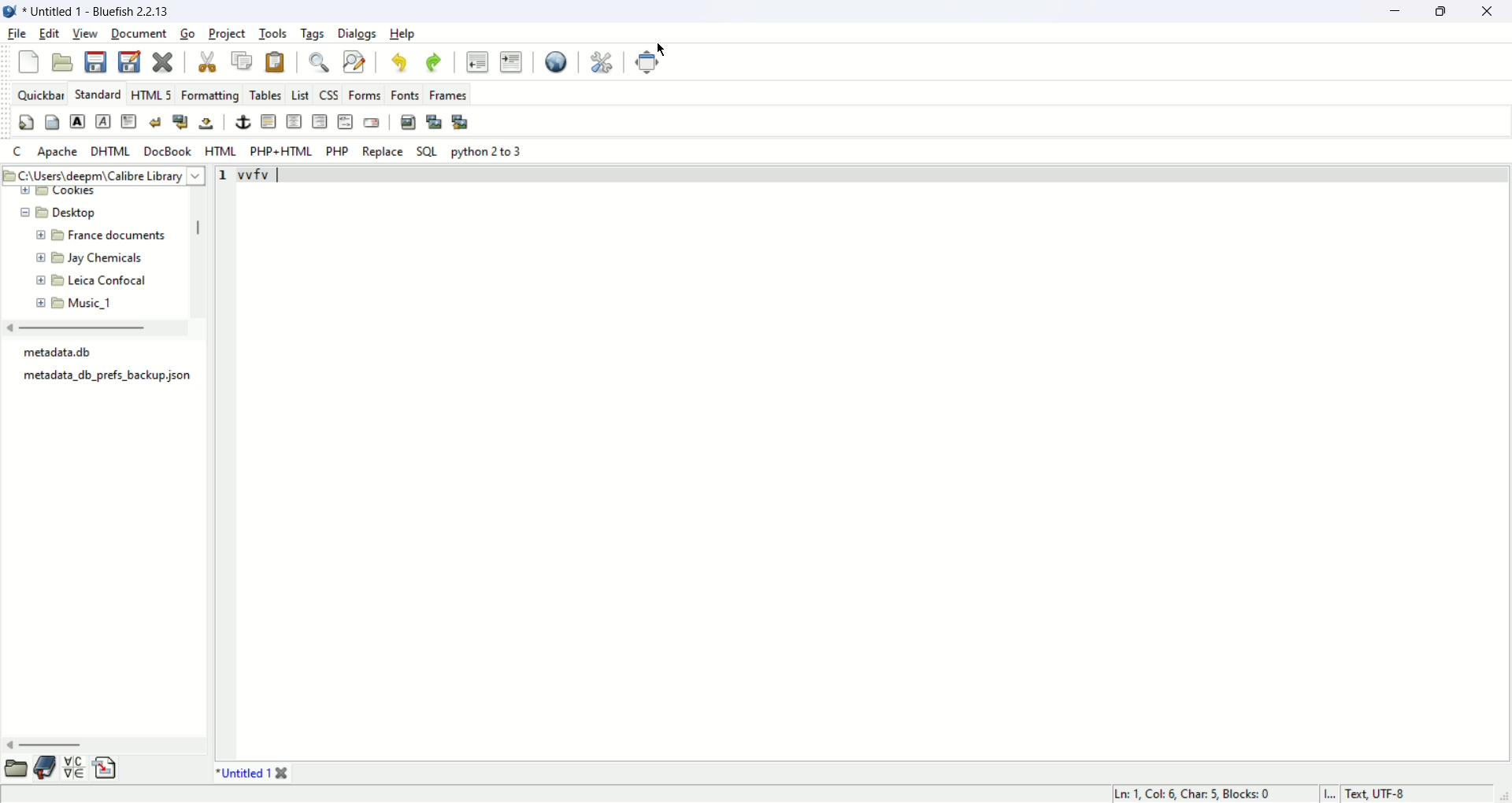  What do you see at coordinates (661, 48) in the screenshot?
I see `cursor` at bounding box center [661, 48].